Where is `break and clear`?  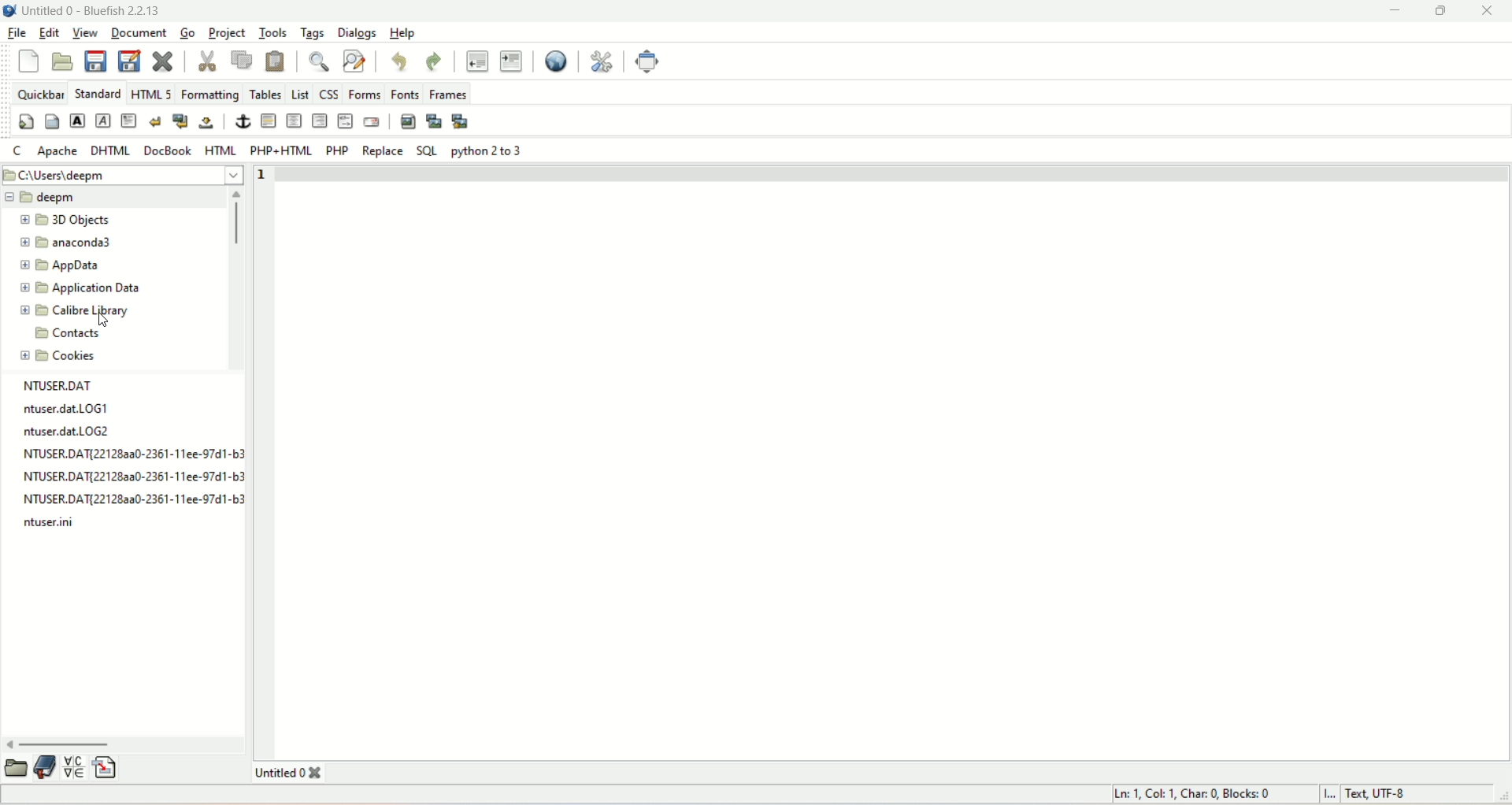
break and clear is located at coordinates (180, 120).